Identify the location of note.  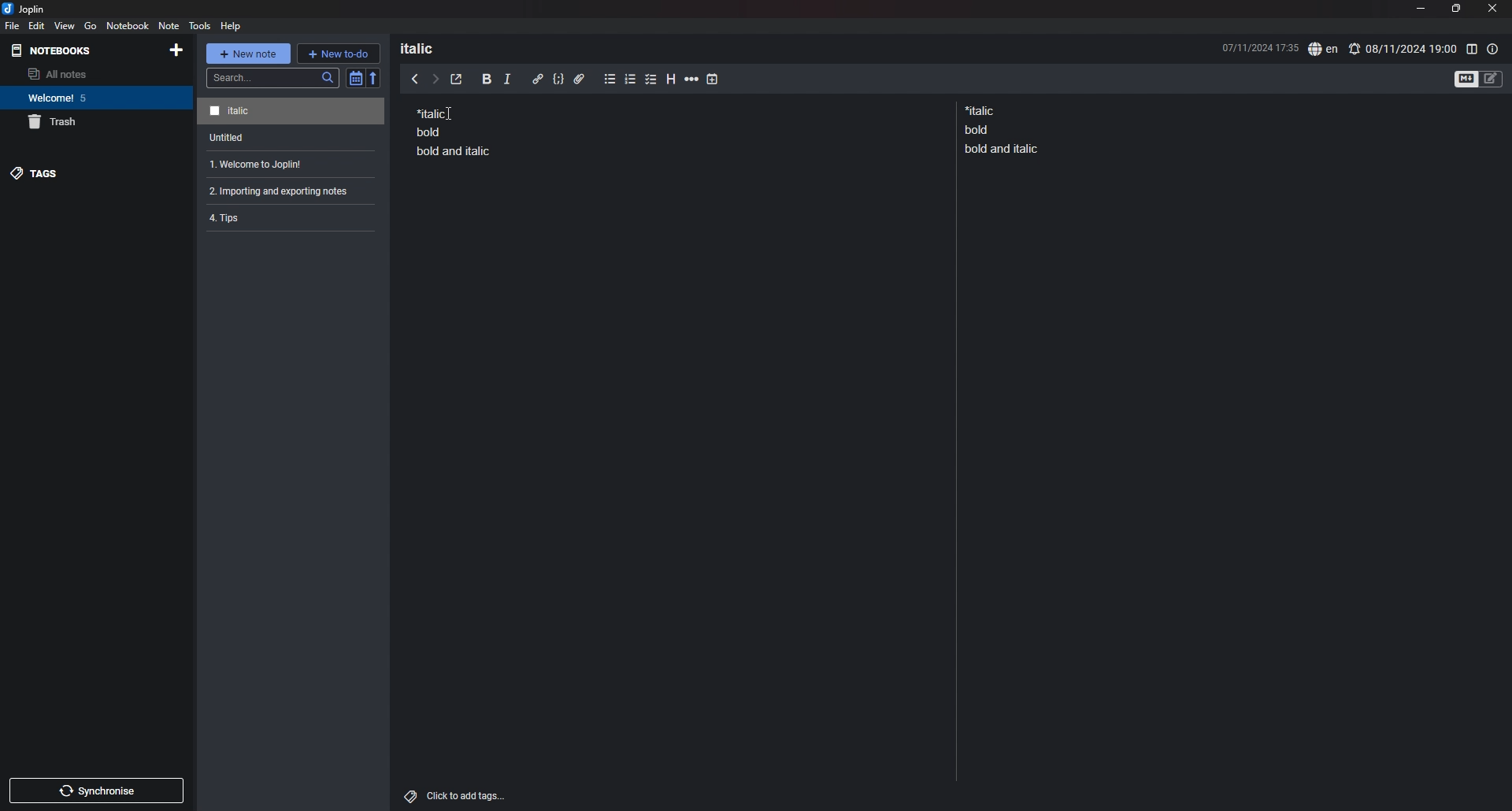
(291, 112).